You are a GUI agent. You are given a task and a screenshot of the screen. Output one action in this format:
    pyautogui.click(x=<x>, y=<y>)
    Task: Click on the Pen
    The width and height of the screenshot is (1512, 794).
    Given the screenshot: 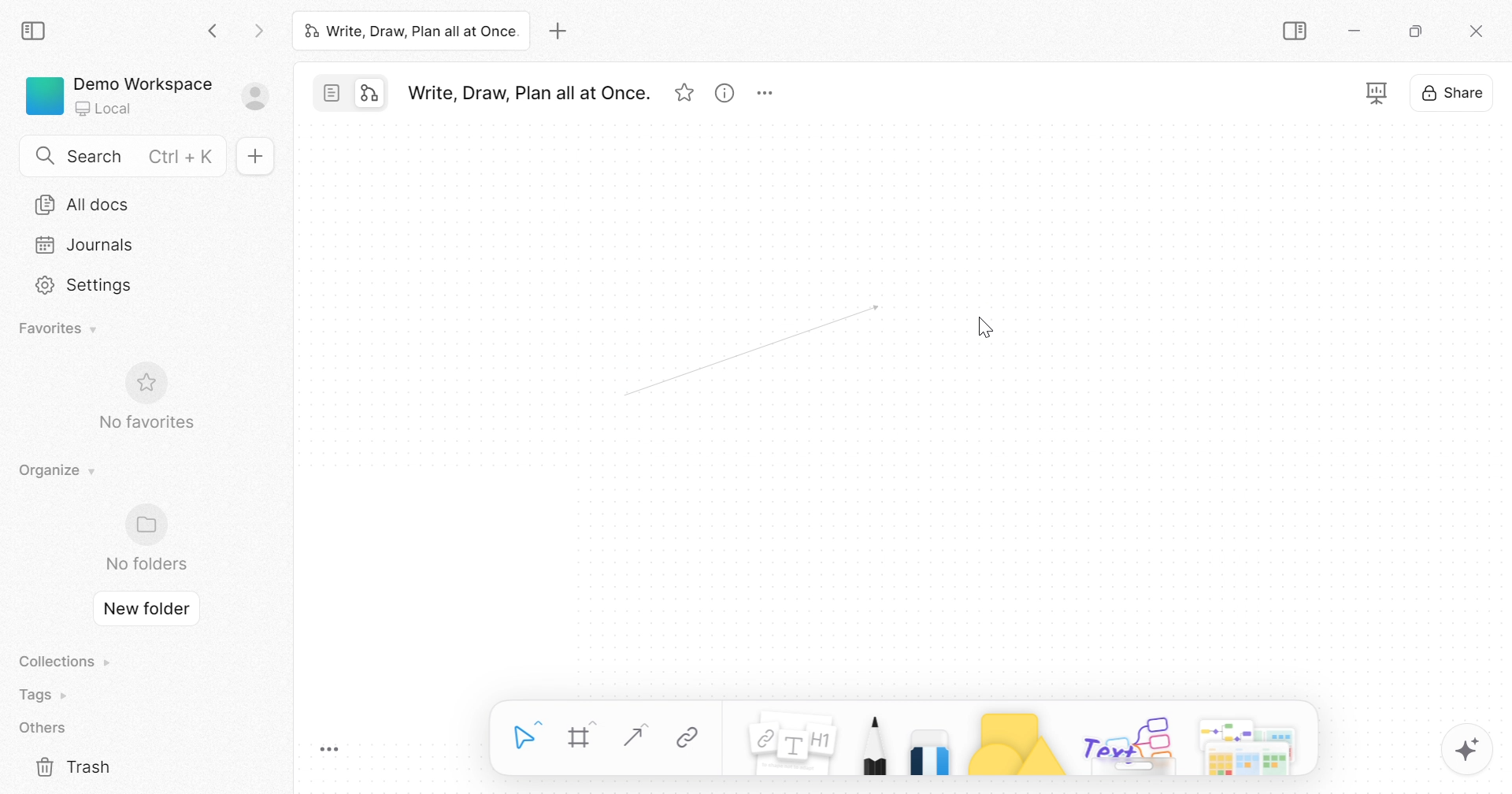 What is the action you would take?
    pyautogui.click(x=873, y=743)
    